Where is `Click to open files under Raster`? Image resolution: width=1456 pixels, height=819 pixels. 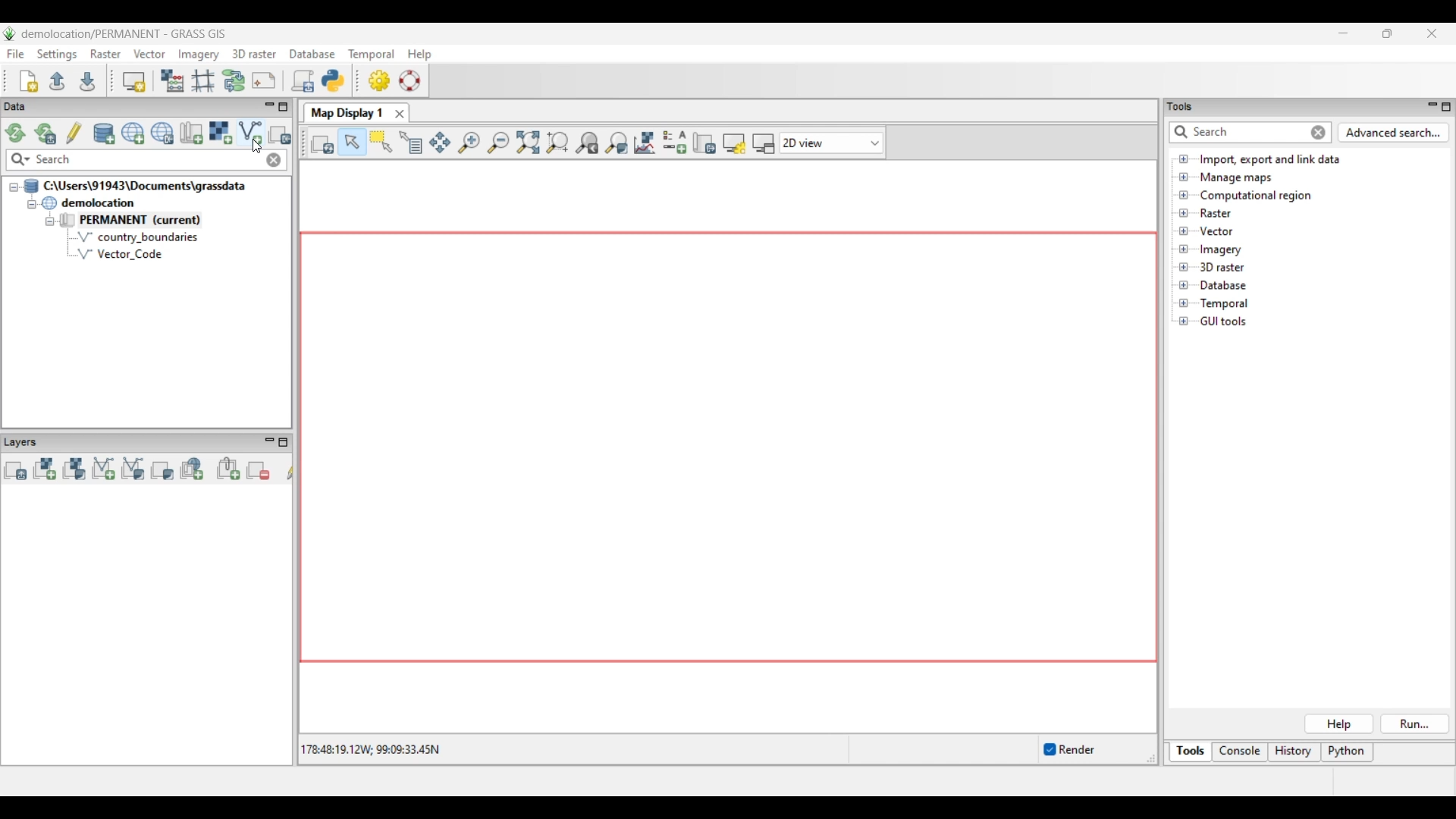 Click to open files under Raster is located at coordinates (1184, 212).